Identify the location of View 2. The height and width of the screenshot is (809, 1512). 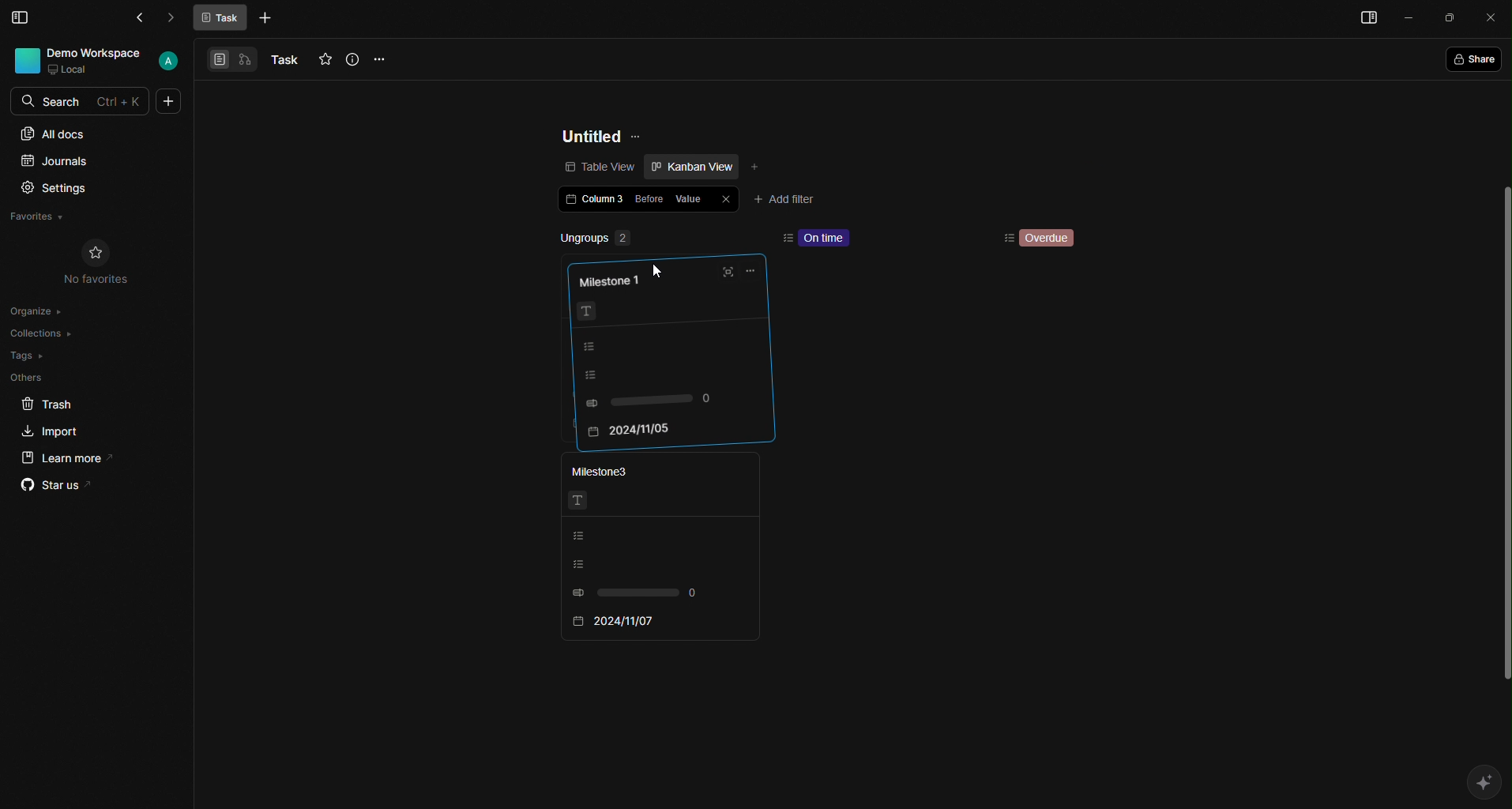
(244, 62).